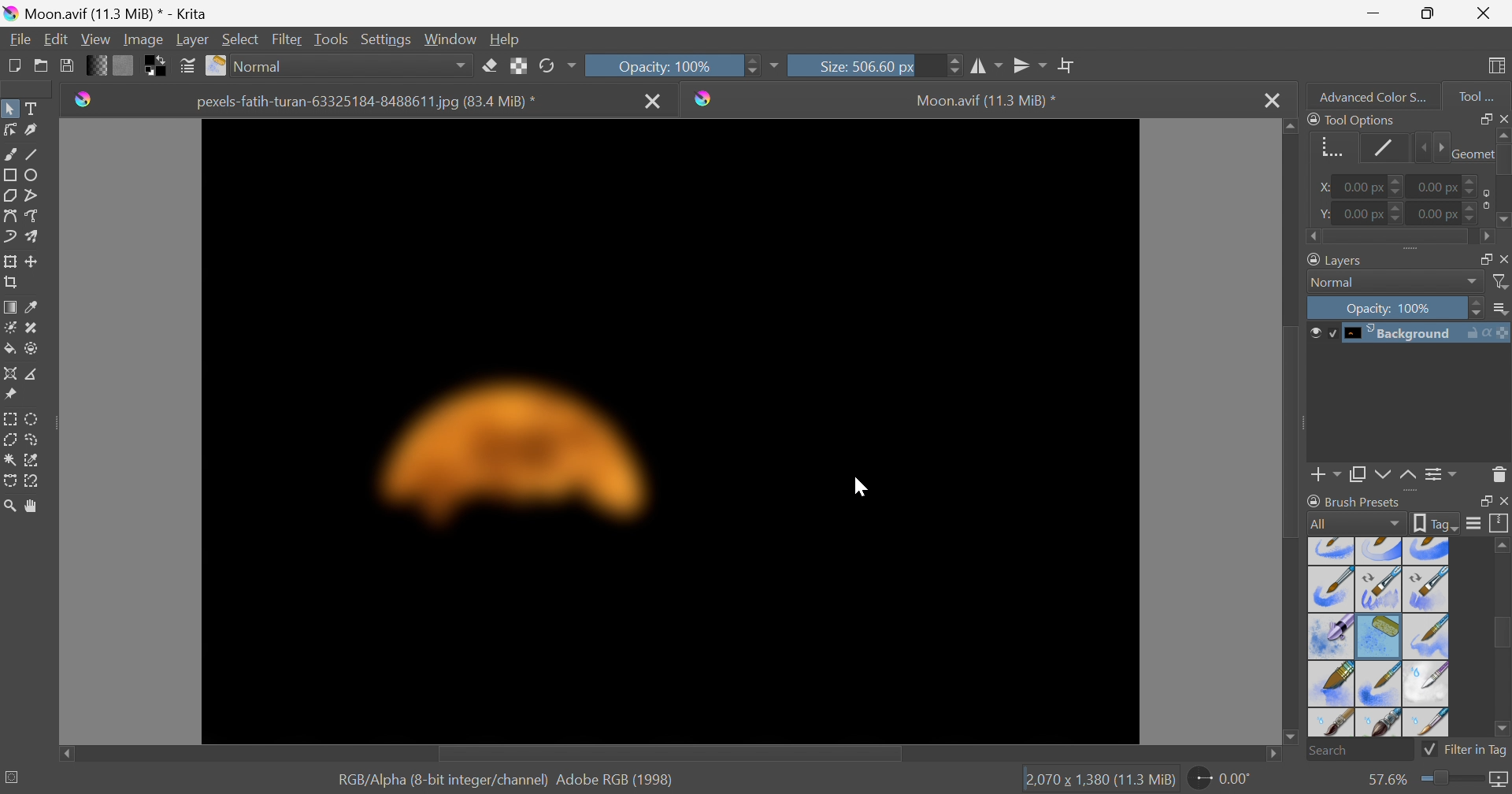 The width and height of the screenshot is (1512, 794). I want to click on Filter, so click(288, 39).